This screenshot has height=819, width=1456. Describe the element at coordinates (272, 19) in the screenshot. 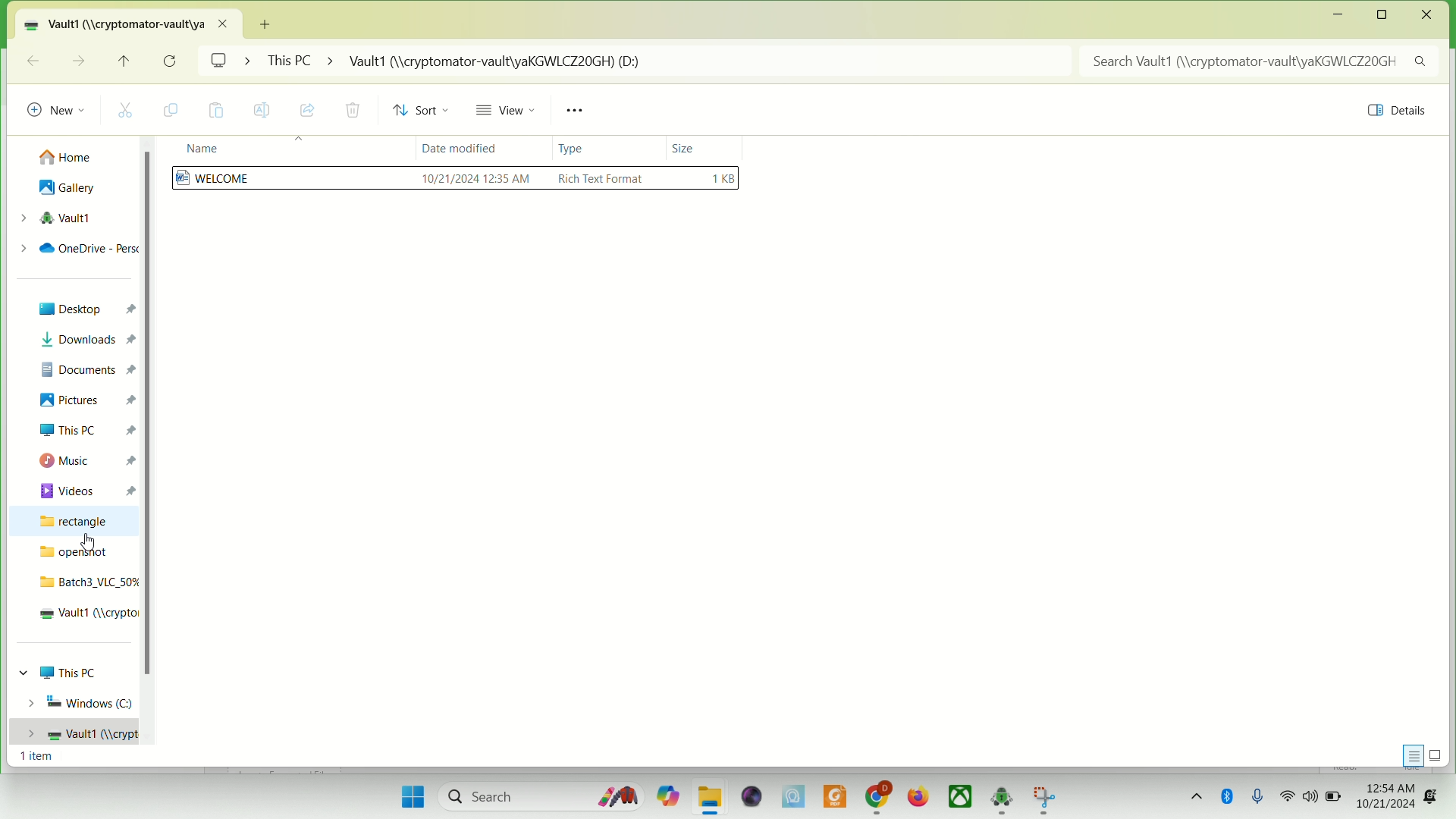

I see `Add` at that location.